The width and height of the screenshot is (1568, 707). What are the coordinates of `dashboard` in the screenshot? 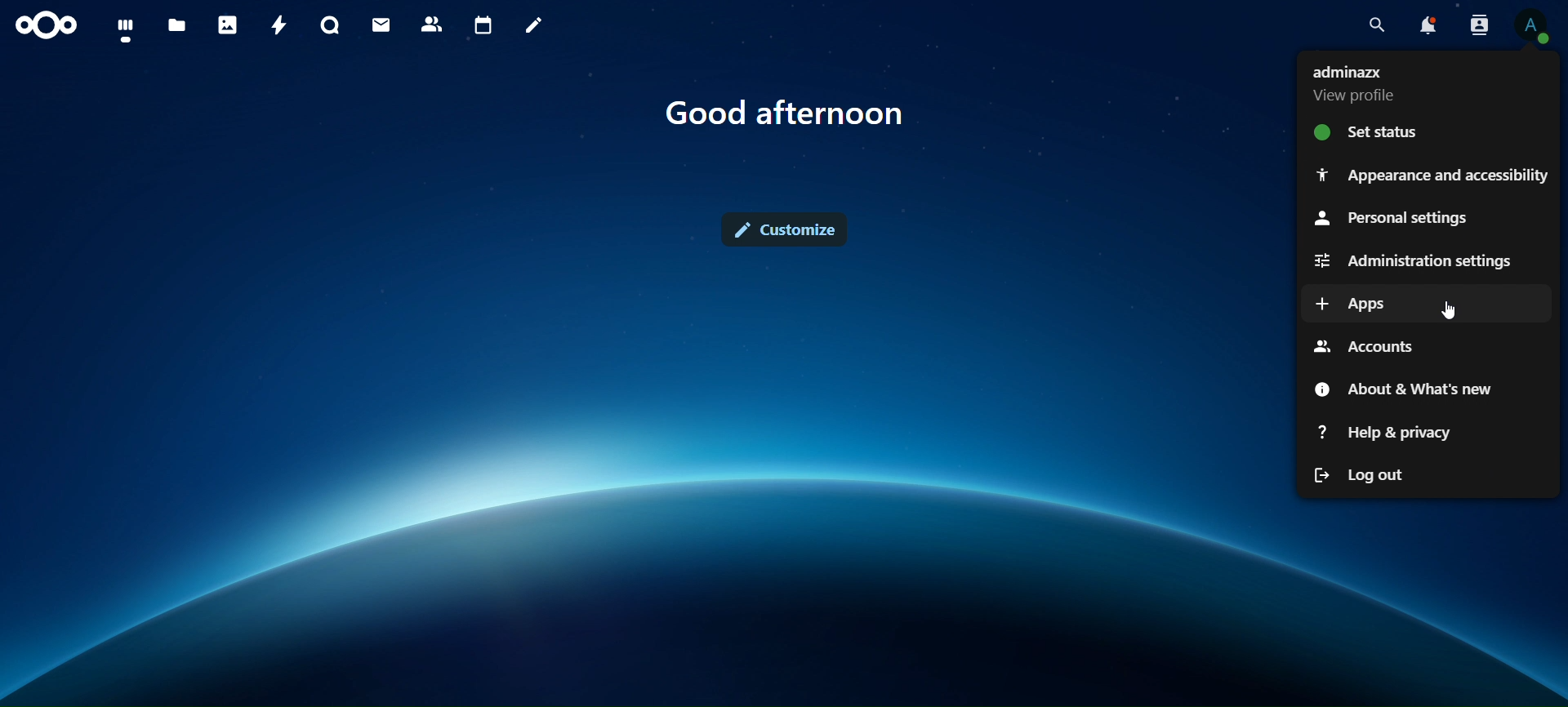 It's located at (122, 29).